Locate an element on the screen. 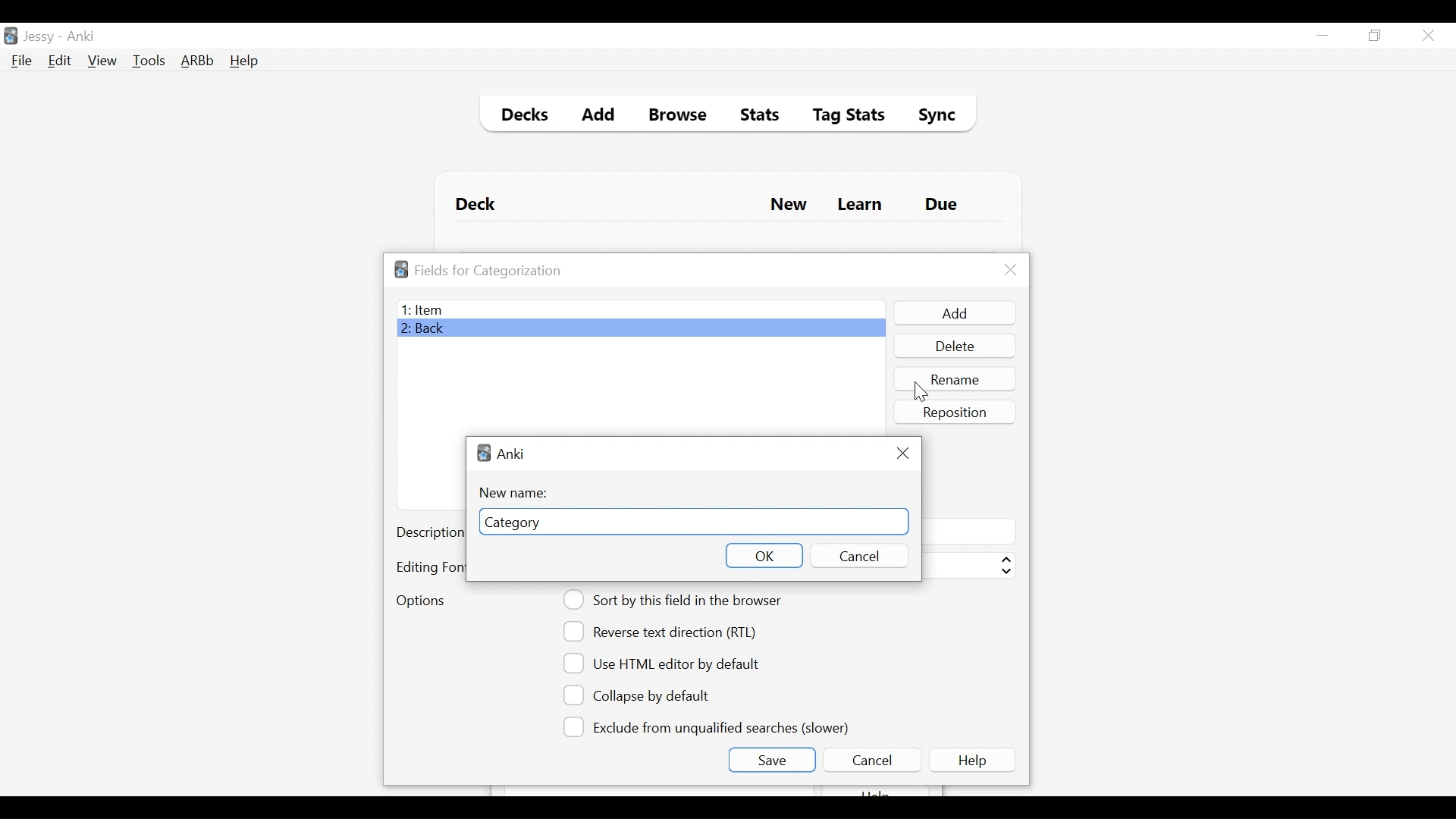  Restore is located at coordinates (1376, 36).